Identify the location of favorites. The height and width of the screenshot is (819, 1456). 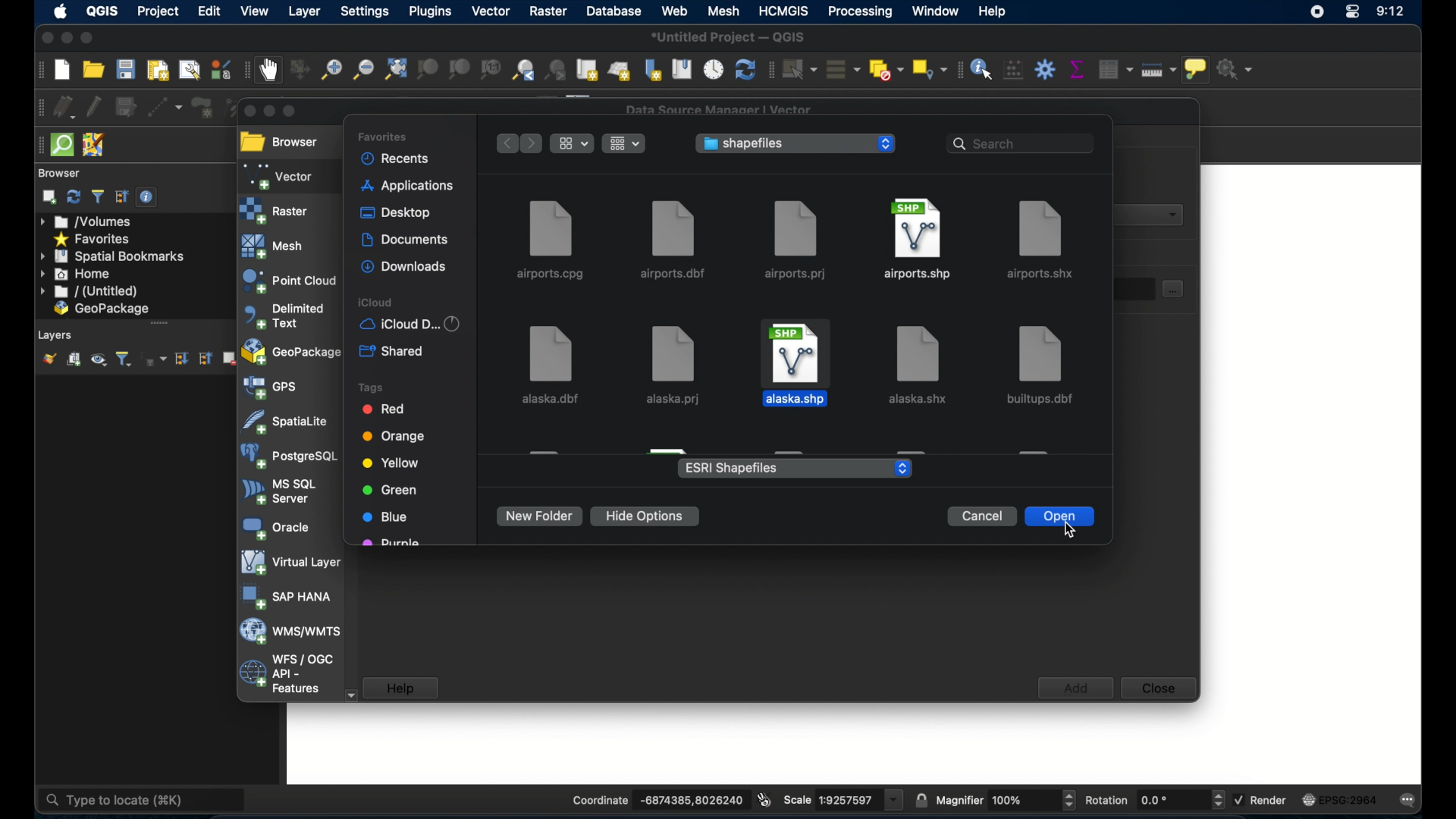
(93, 238).